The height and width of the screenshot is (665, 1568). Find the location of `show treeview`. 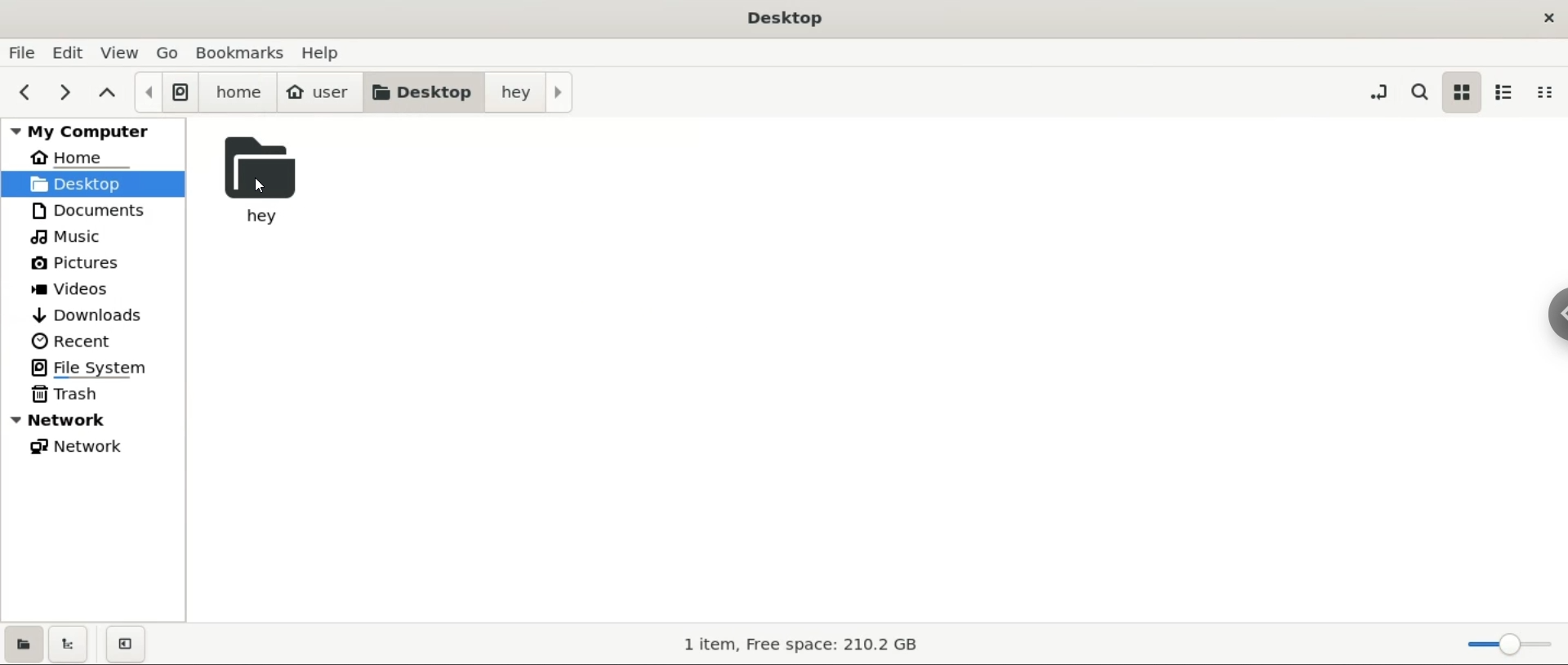

show treeview is located at coordinates (66, 643).